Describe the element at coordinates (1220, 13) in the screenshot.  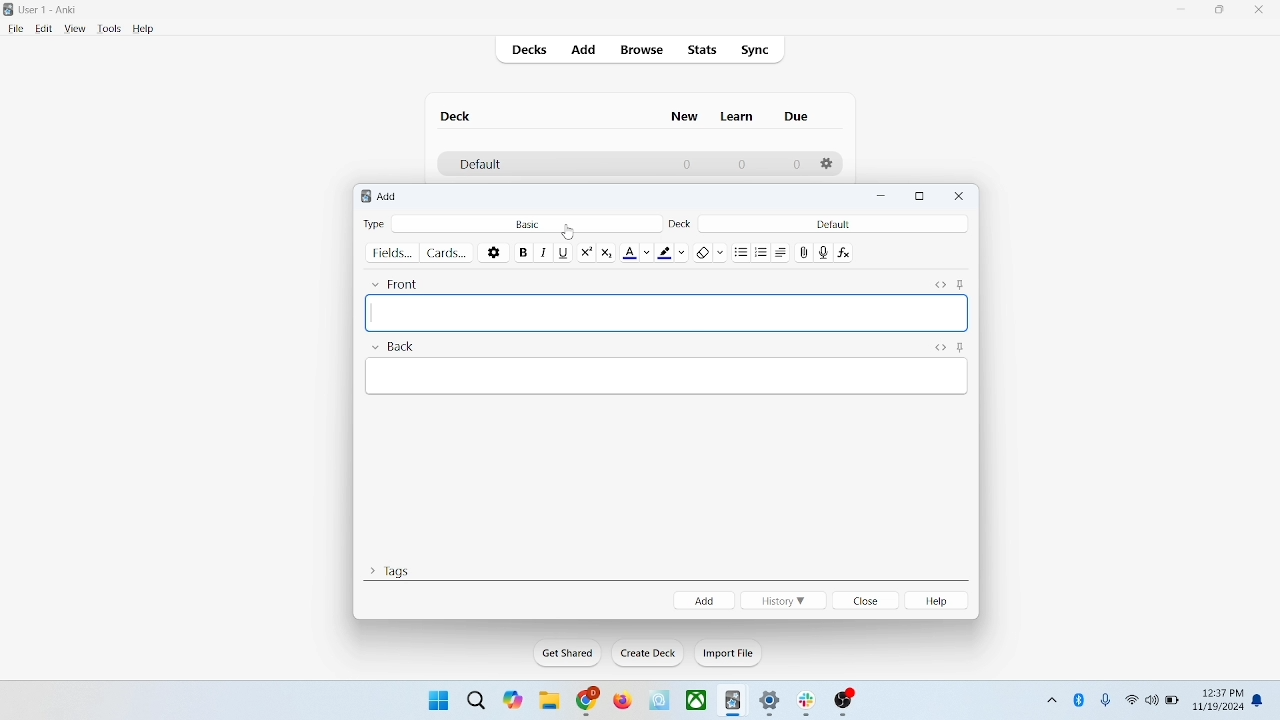
I see `maximize` at that location.